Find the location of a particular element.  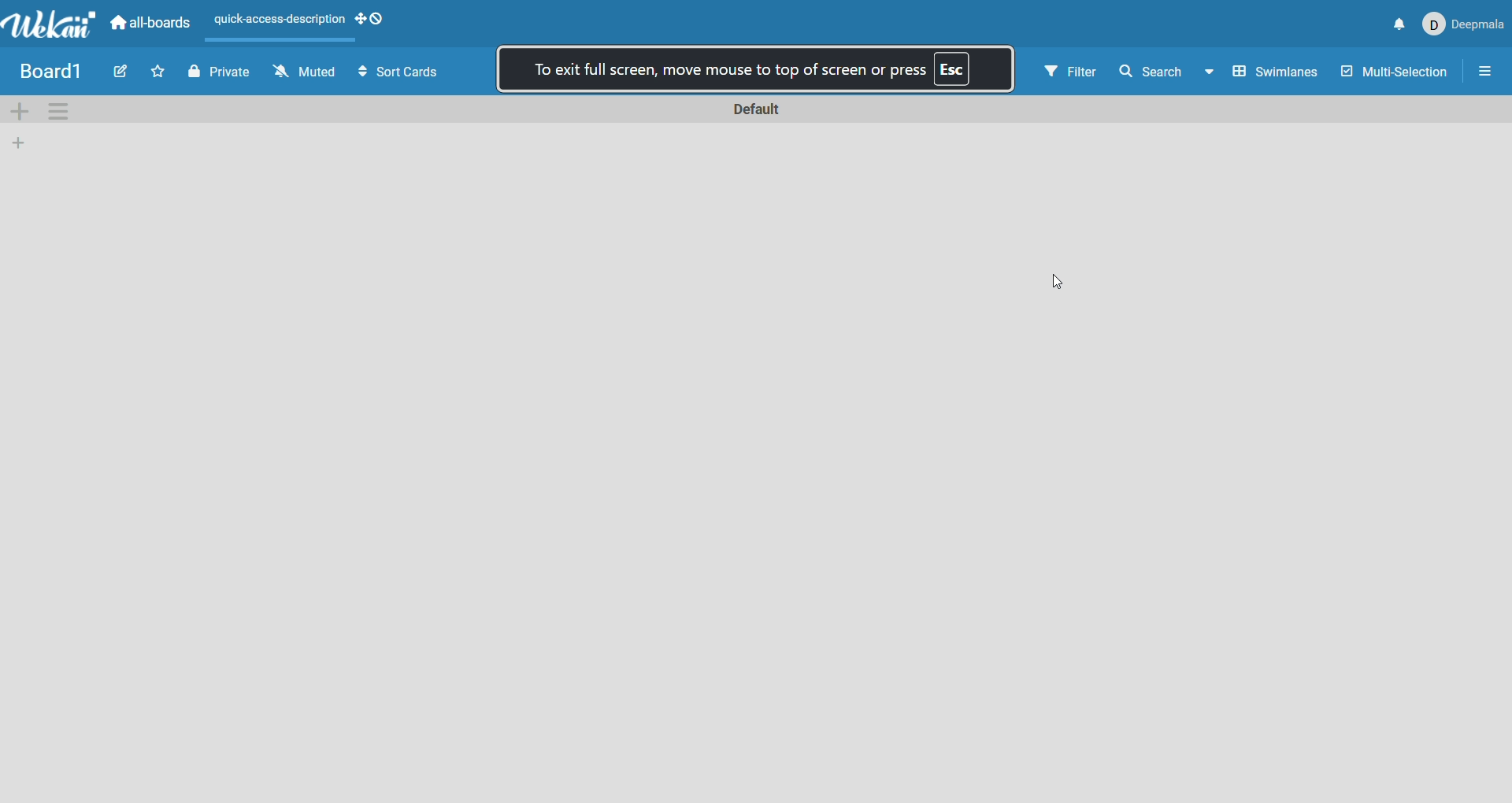

add list is located at coordinates (22, 142).